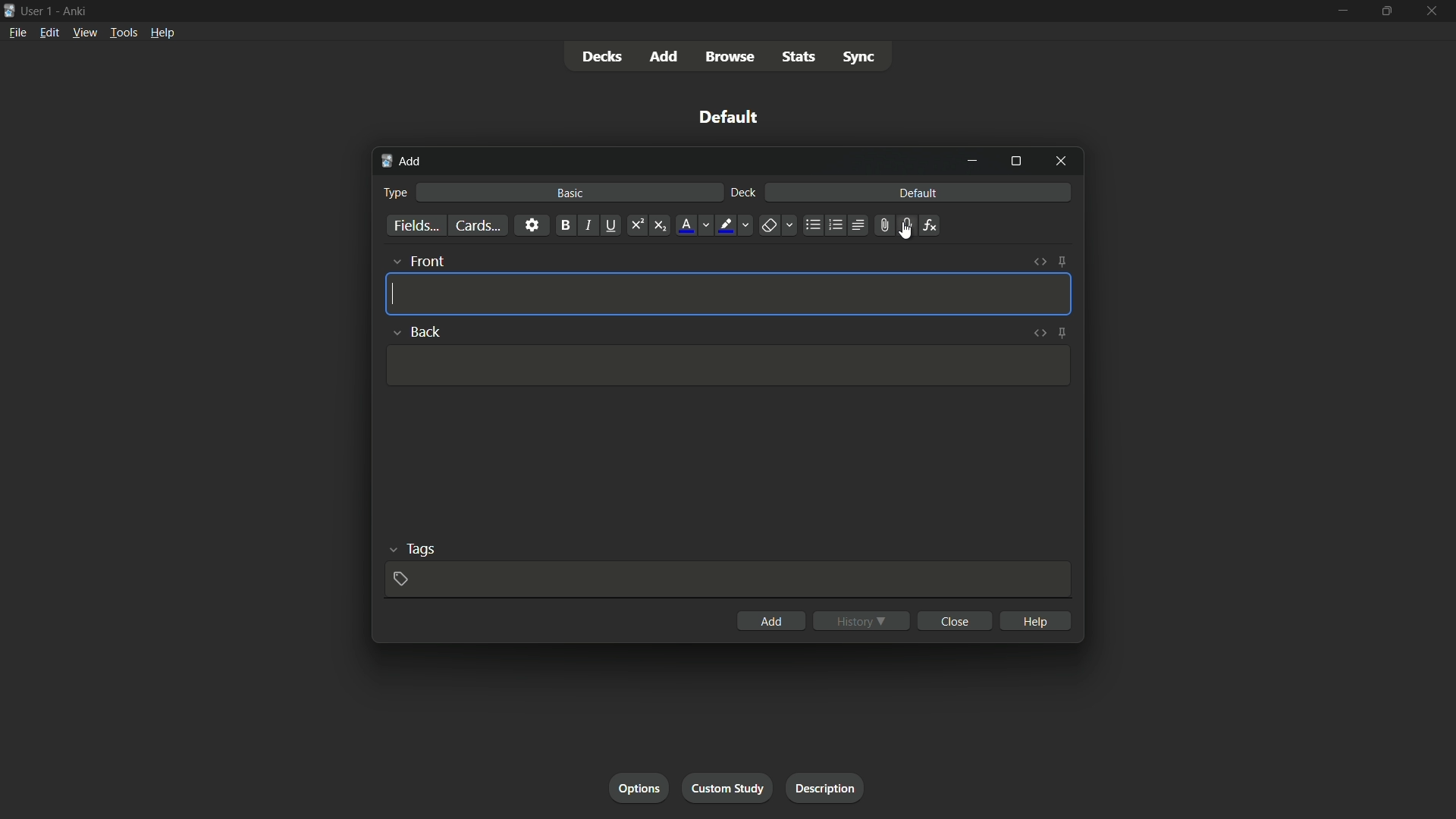 Image resolution: width=1456 pixels, height=819 pixels. What do you see at coordinates (9, 9) in the screenshot?
I see `app icon` at bounding box center [9, 9].